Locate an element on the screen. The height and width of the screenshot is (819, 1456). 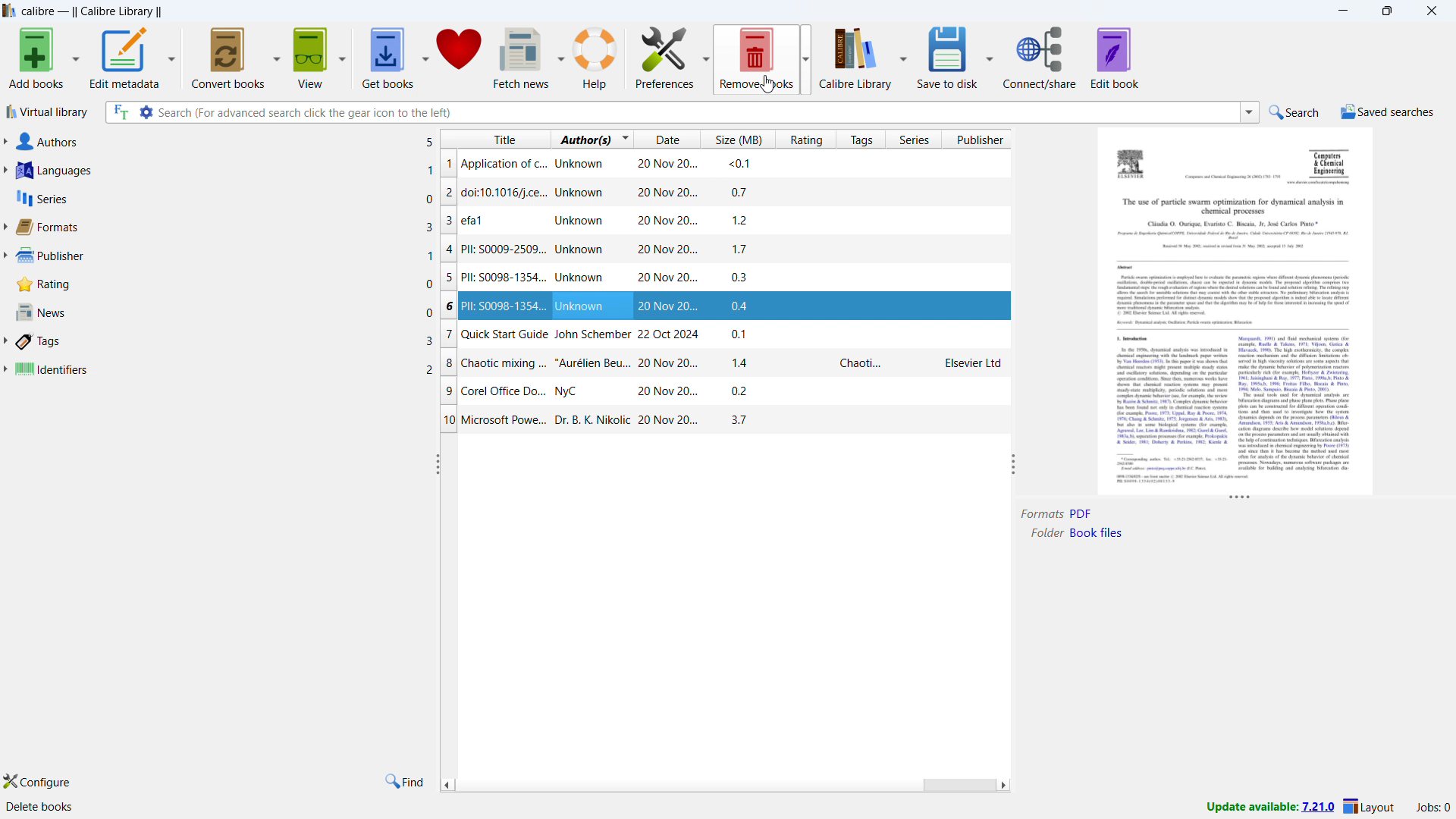
rating is located at coordinates (224, 284).